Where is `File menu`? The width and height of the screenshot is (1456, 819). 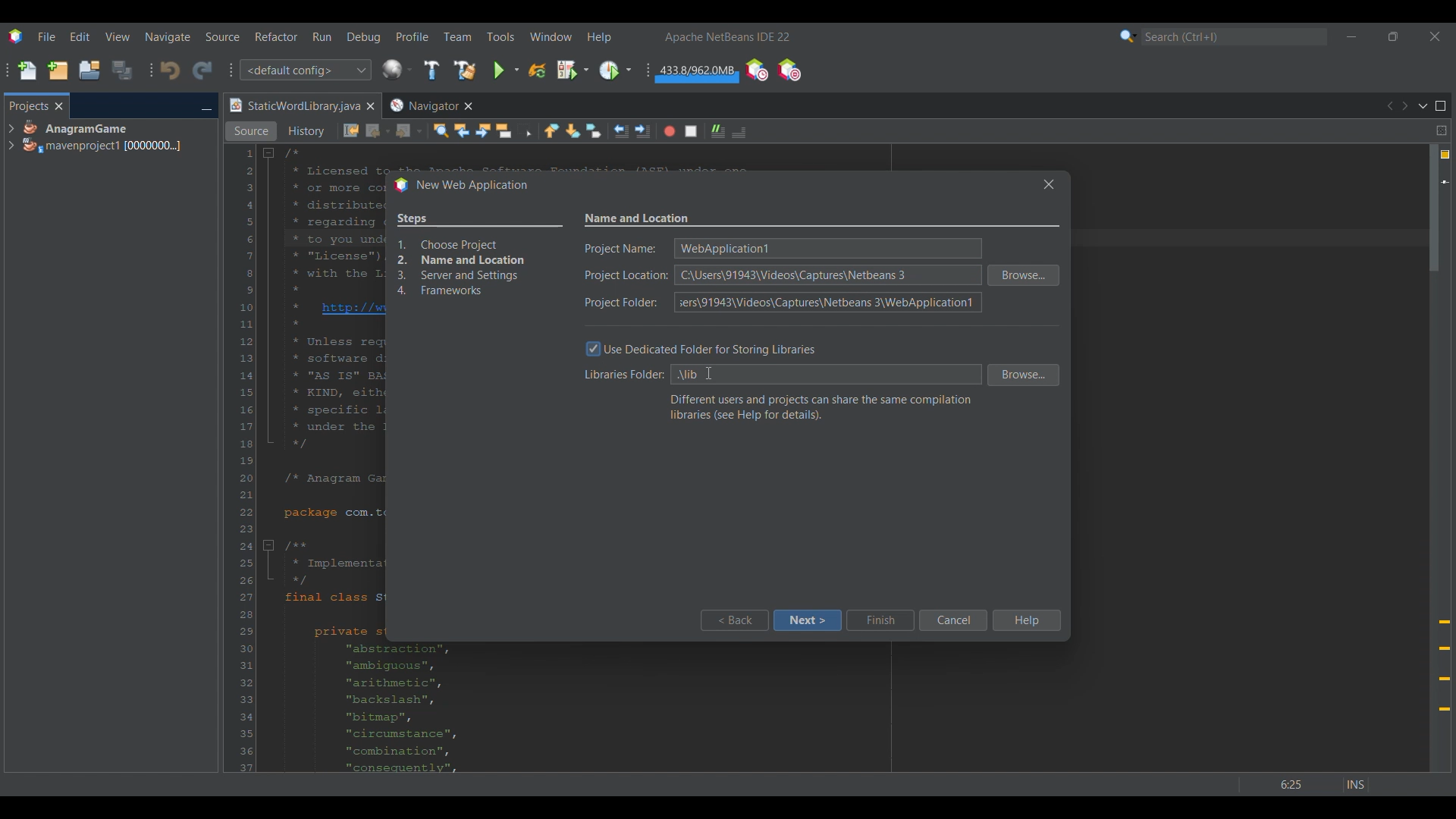 File menu is located at coordinates (46, 36).